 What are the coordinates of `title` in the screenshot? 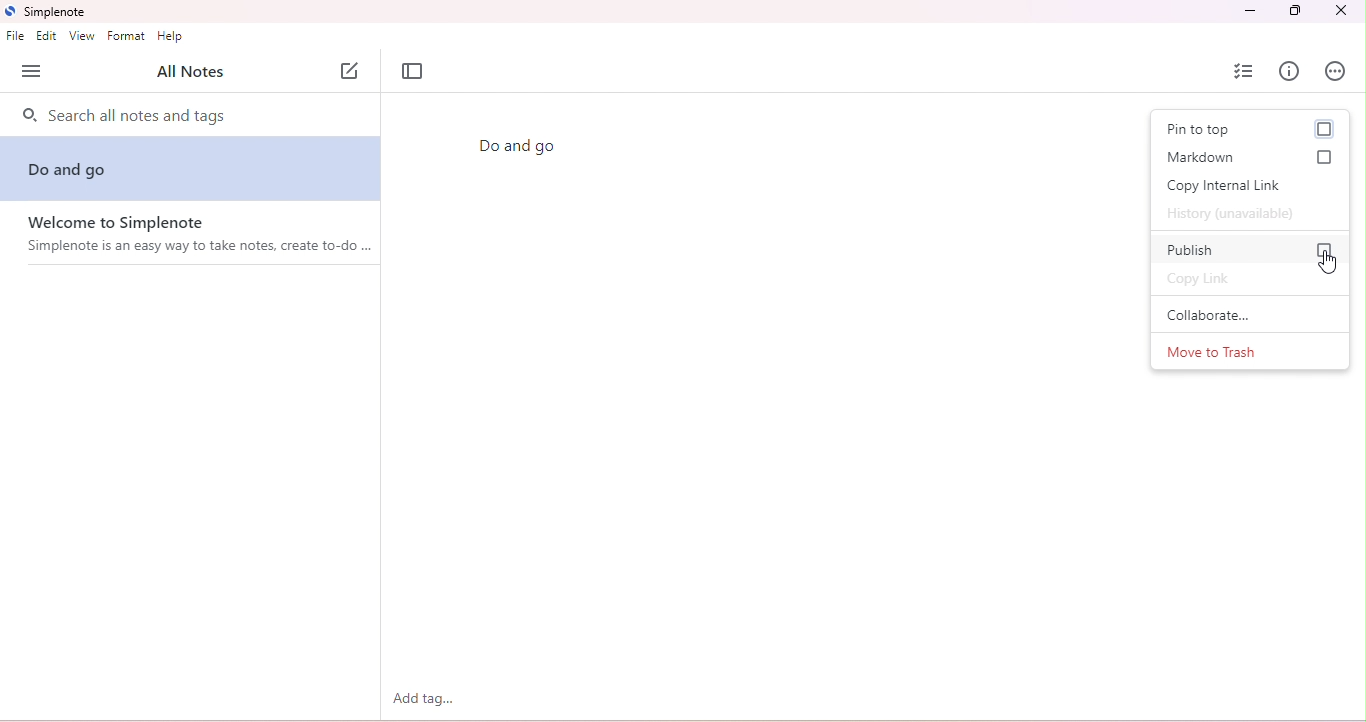 It's located at (48, 12).